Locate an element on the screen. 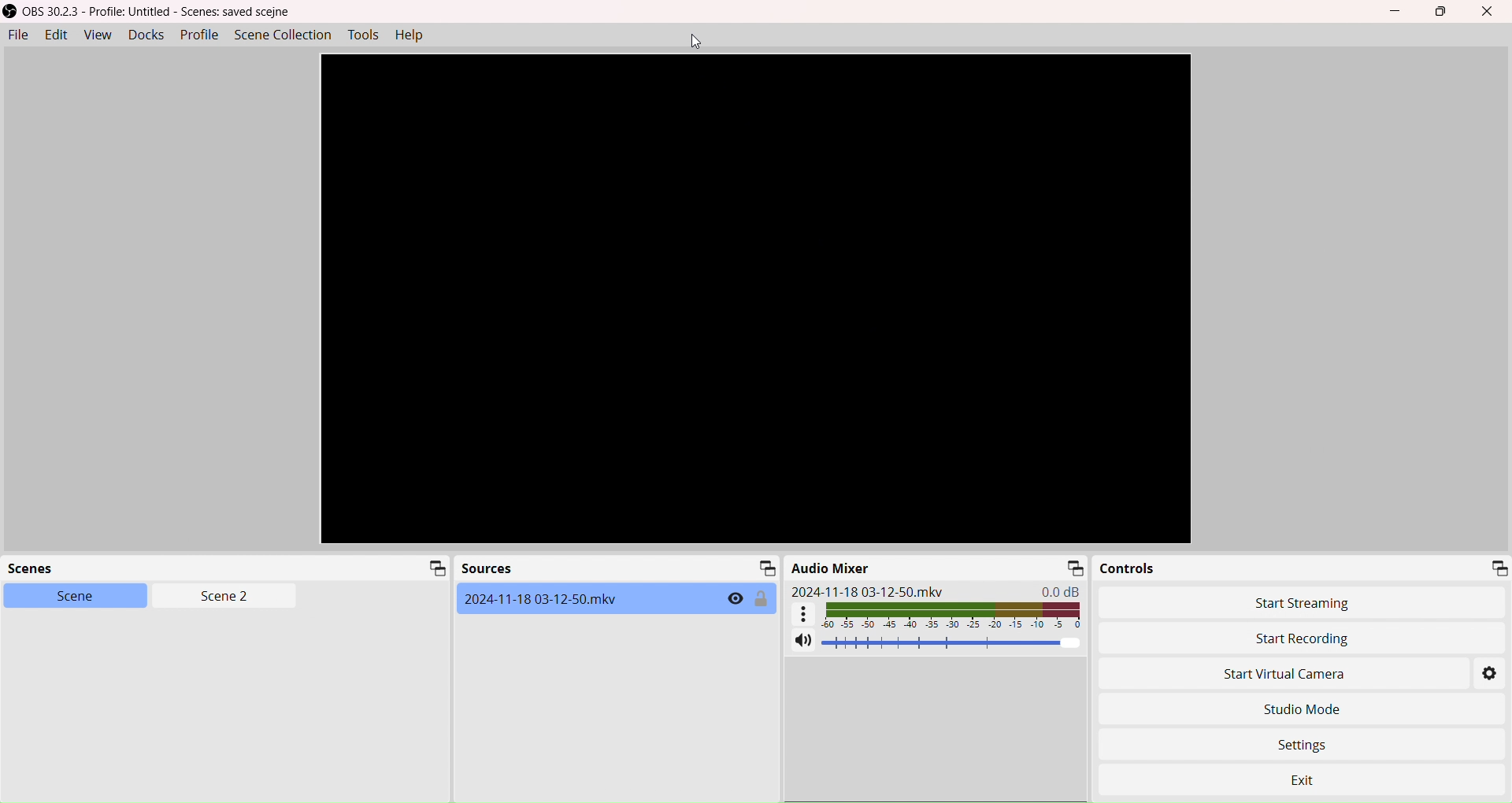  SceneCollection is located at coordinates (285, 34).